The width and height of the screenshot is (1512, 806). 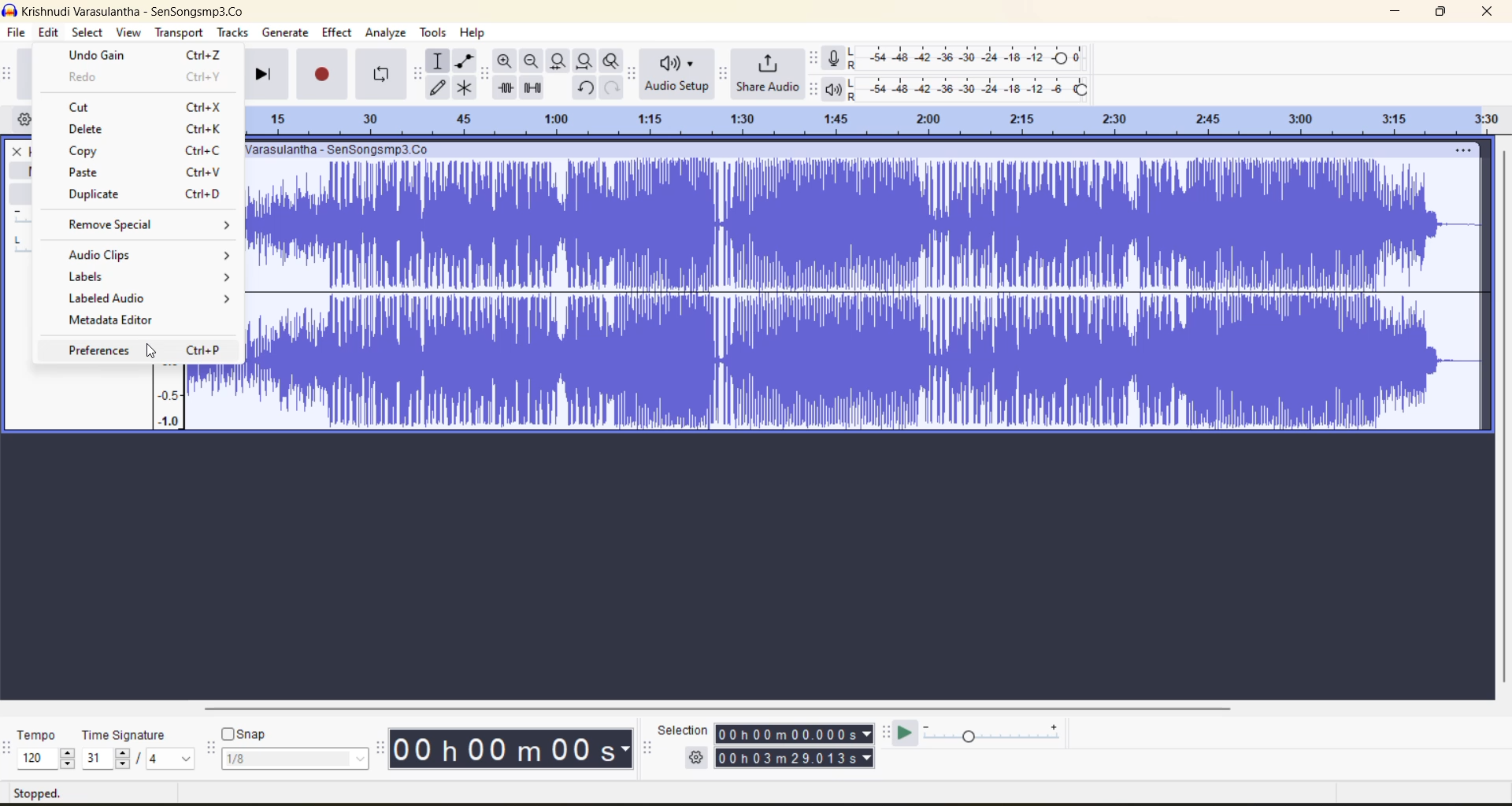 What do you see at coordinates (384, 75) in the screenshot?
I see `enable looping` at bounding box center [384, 75].